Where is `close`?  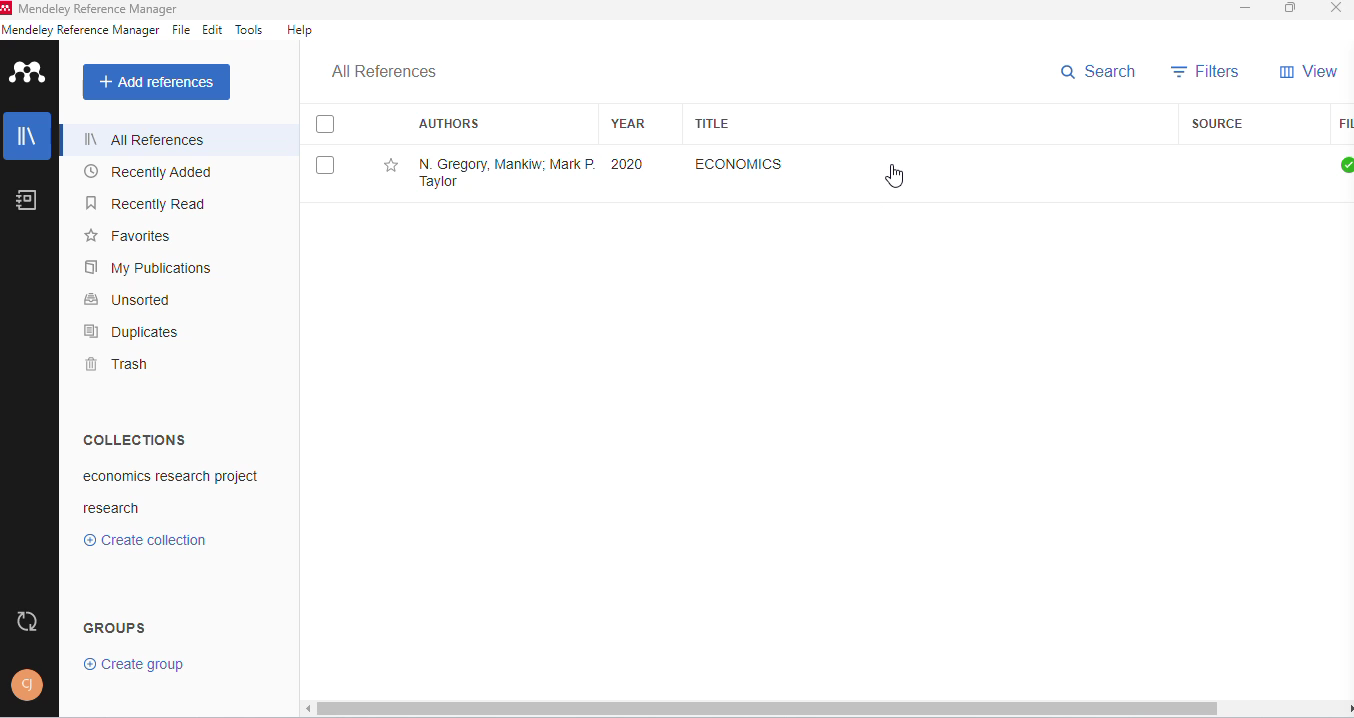 close is located at coordinates (1337, 8).